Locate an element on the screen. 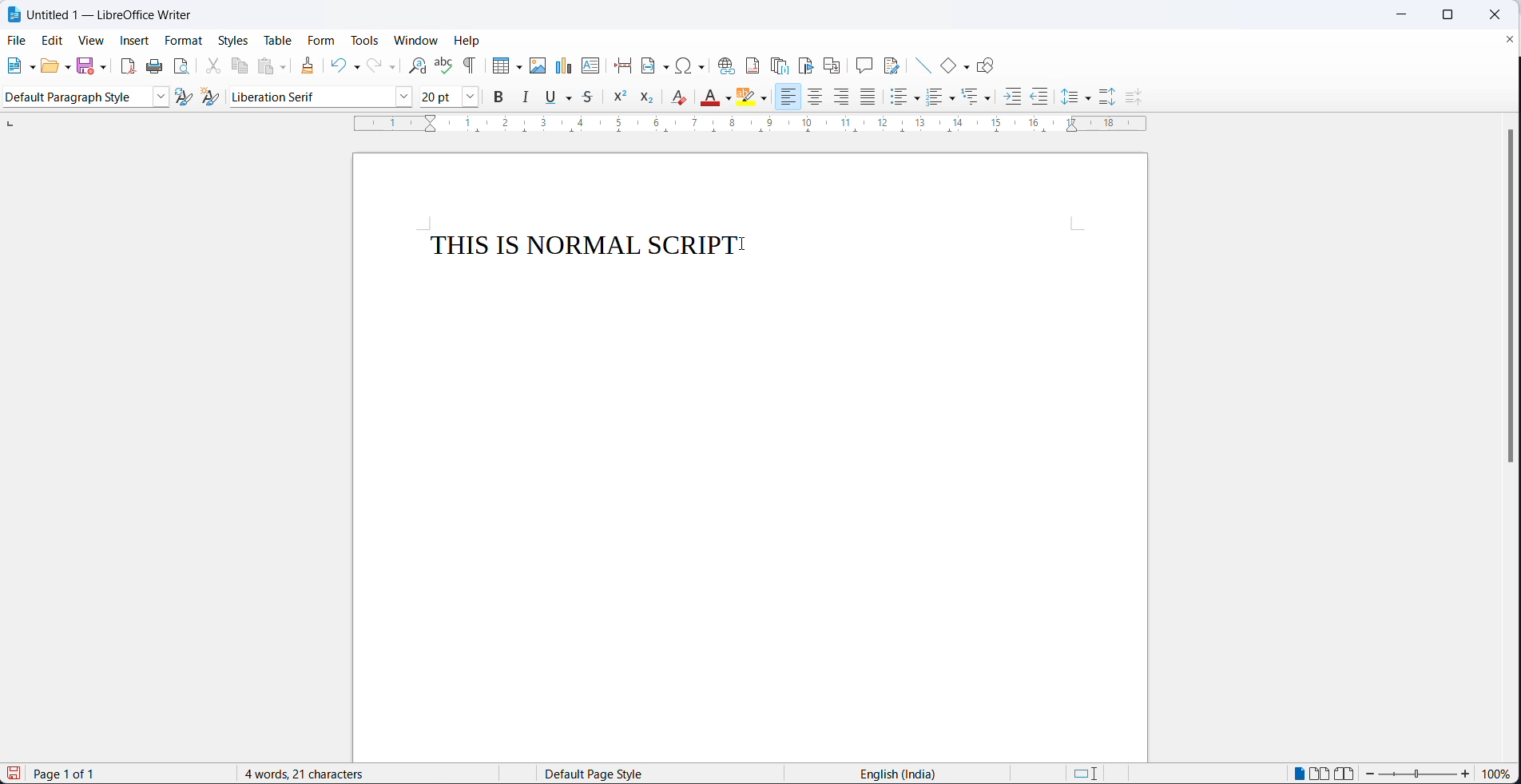 The image size is (1521, 784). insert hyperlink is located at coordinates (725, 64).